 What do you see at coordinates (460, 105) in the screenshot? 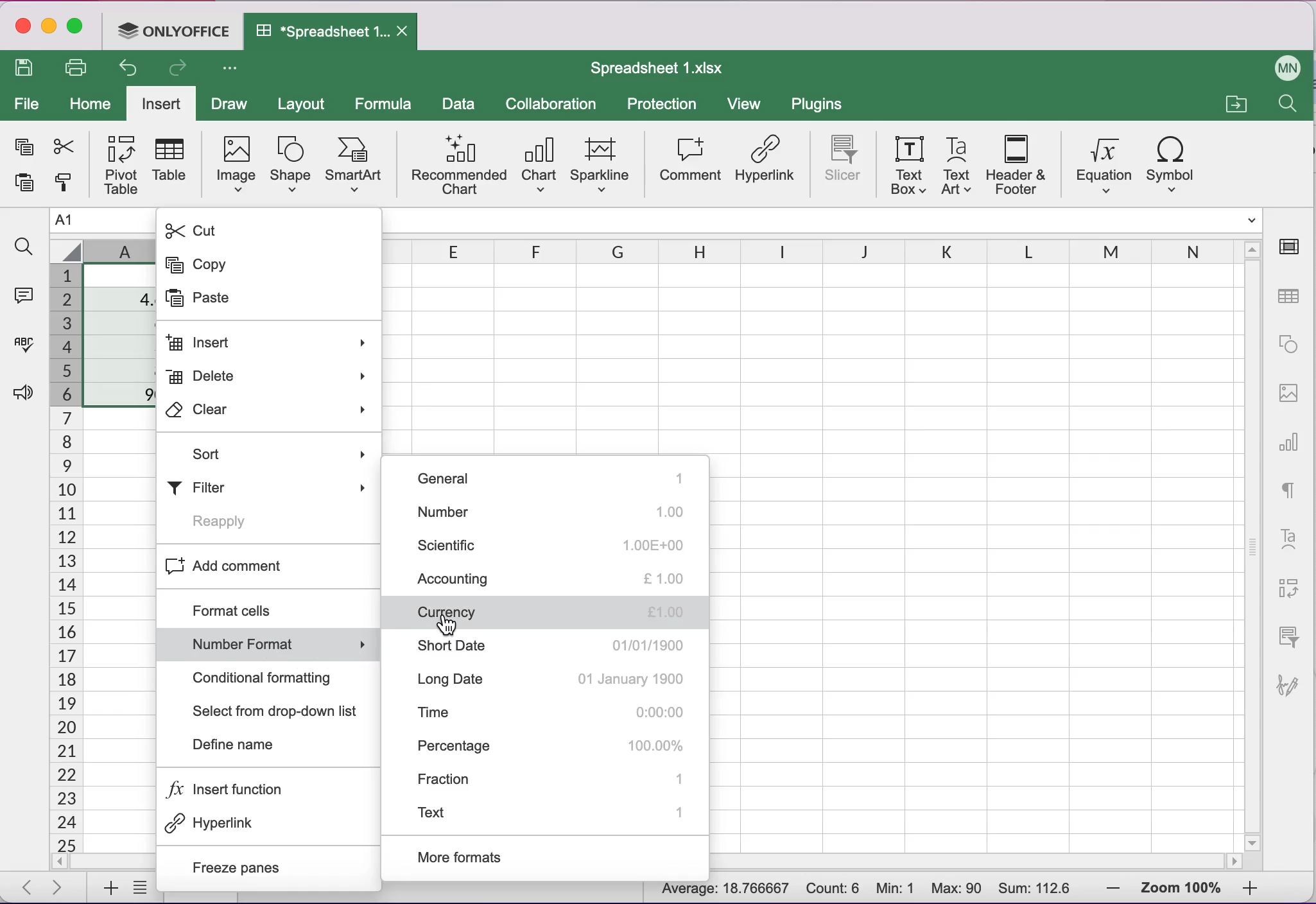
I see `data` at bounding box center [460, 105].